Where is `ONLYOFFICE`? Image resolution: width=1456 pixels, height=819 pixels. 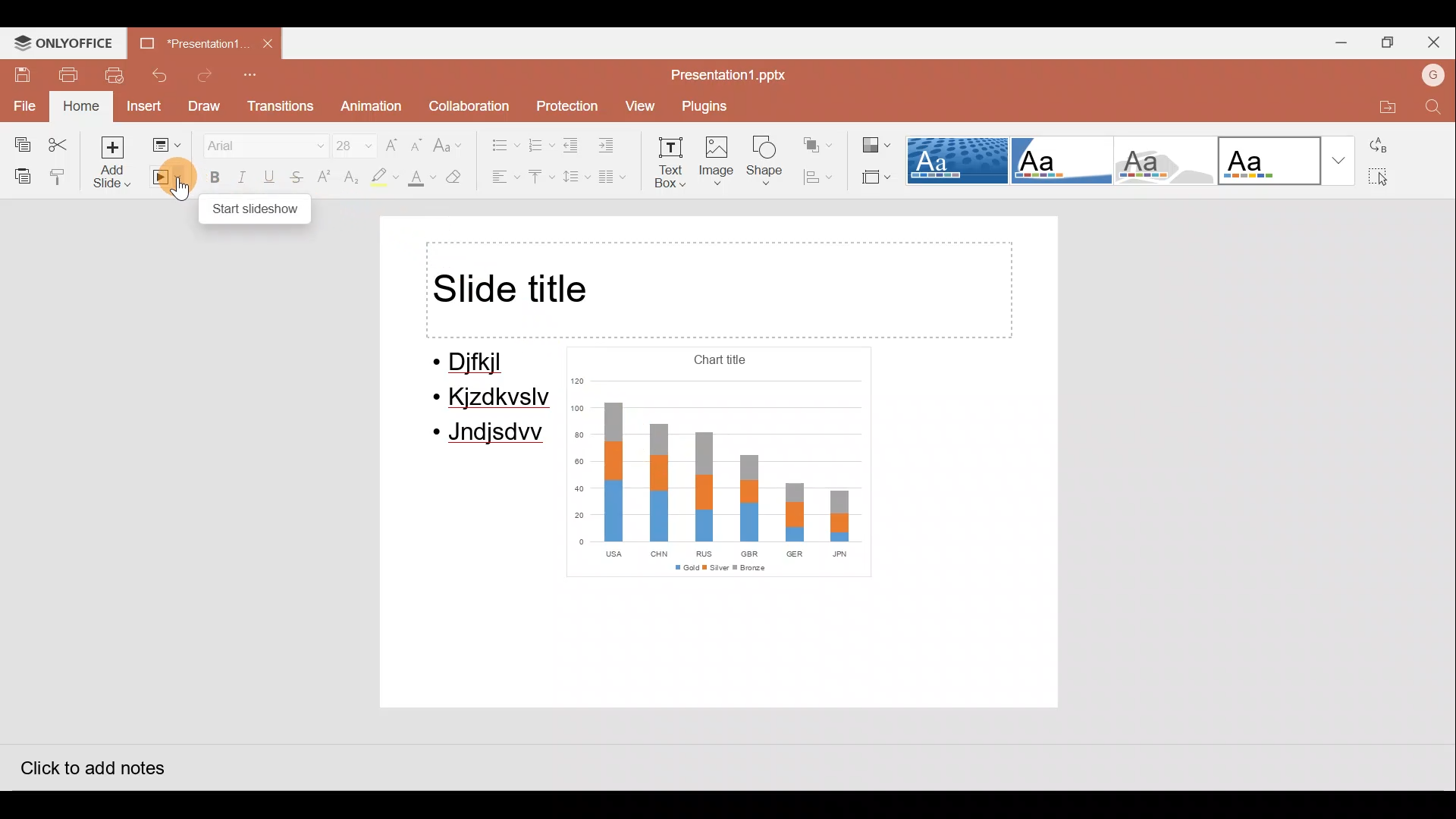
ONLYOFFICE is located at coordinates (60, 42).